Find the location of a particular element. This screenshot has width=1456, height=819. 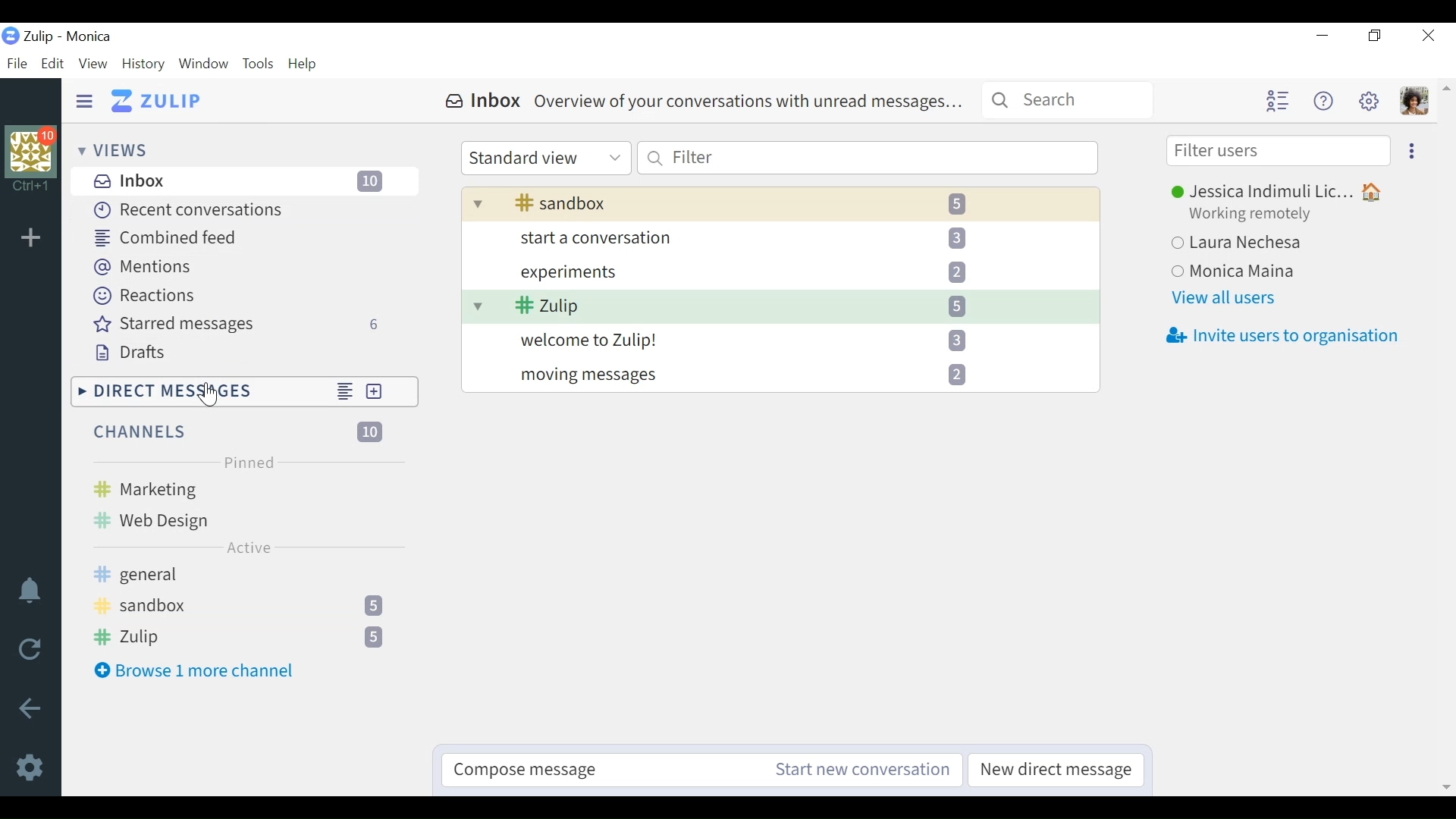

Overview of your conversation with unread messaes wit is located at coordinates (779, 288).